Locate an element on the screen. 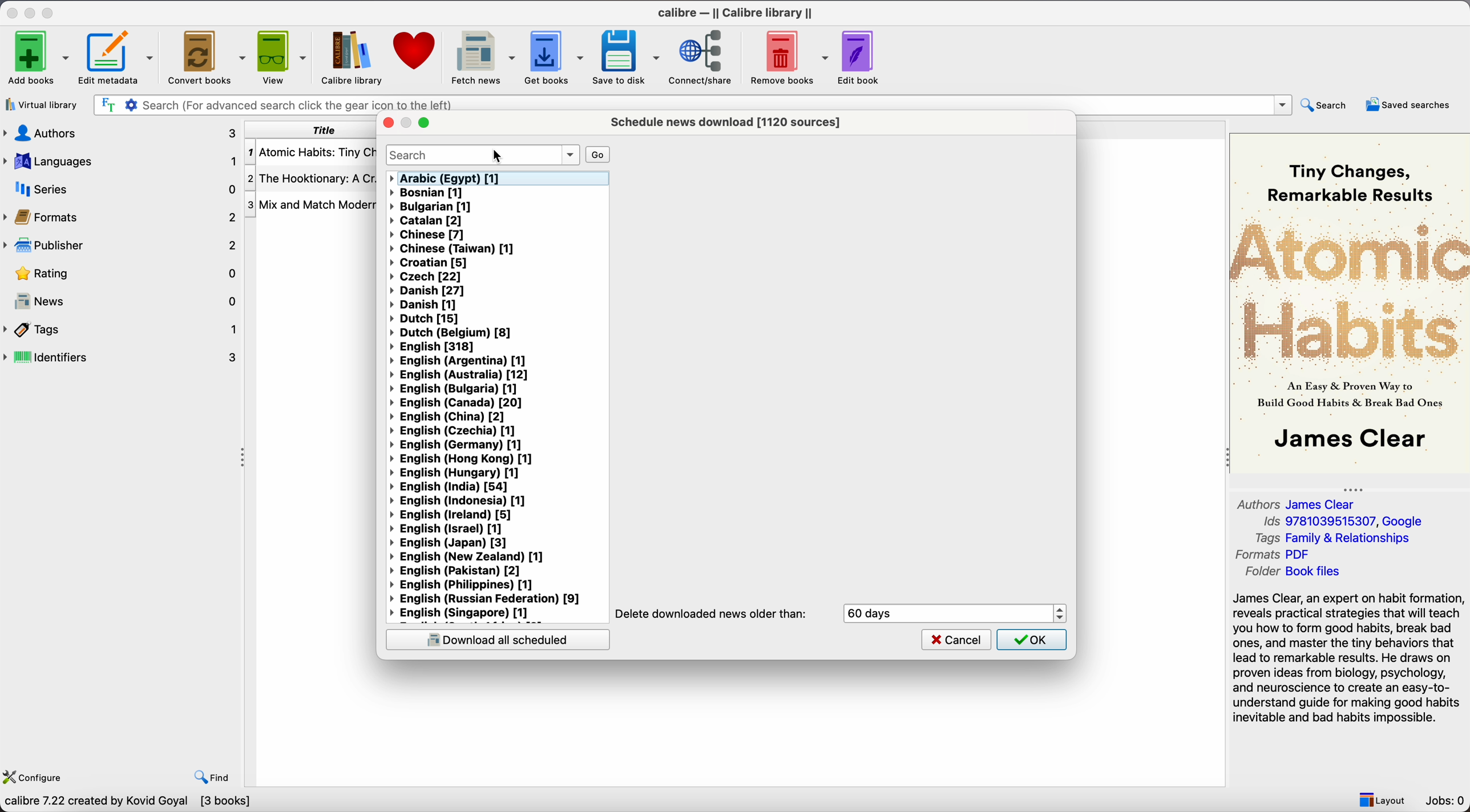 The height and width of the screenshot is (812, 1470). authors is located at coordinates (122, 134).